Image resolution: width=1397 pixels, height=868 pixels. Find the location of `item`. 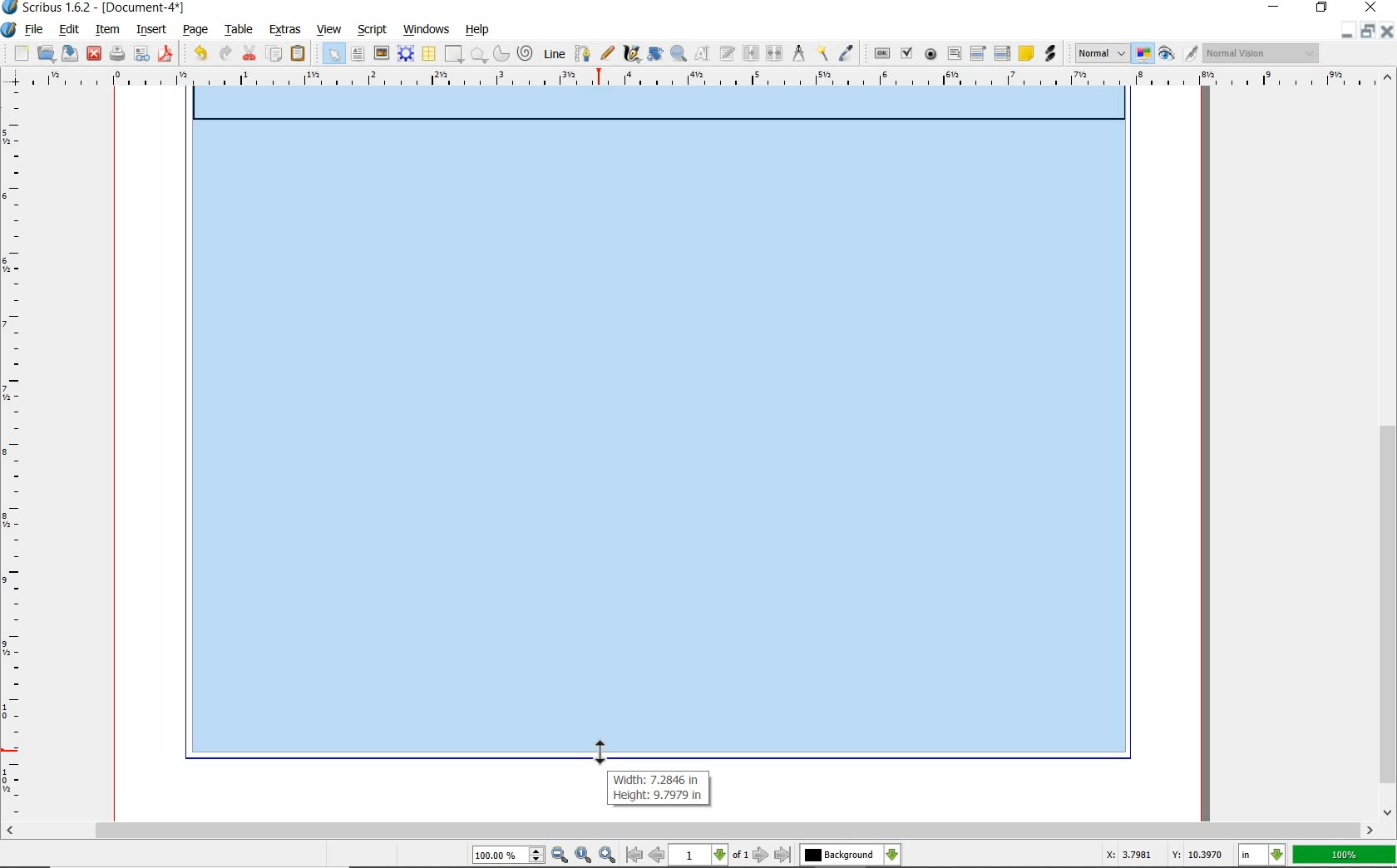

item is located at coordinates (106, 29).